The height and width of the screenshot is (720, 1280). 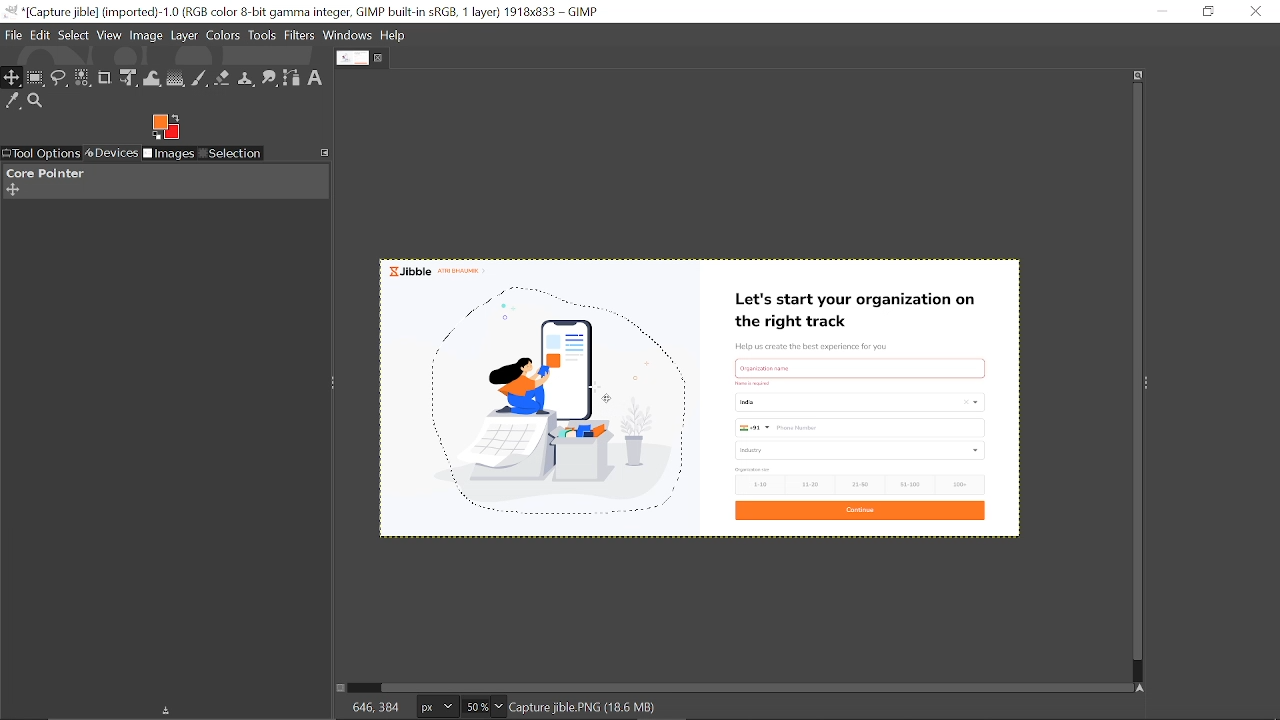 I want to click on Free select tool, so click(x=60, y=79).